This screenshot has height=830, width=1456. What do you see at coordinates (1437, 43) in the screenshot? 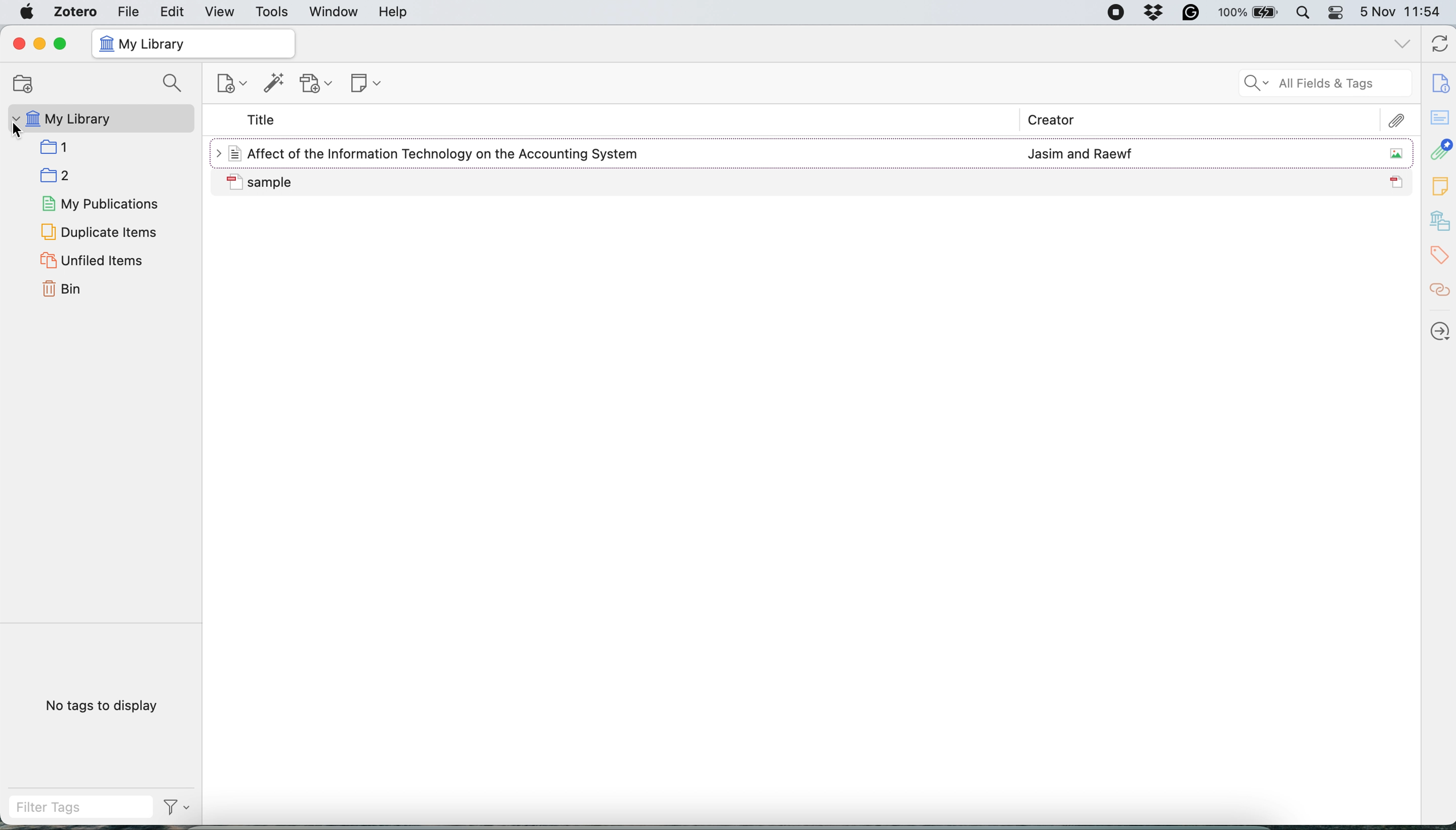
I see `refresh` at bounding box center [1437, 43].